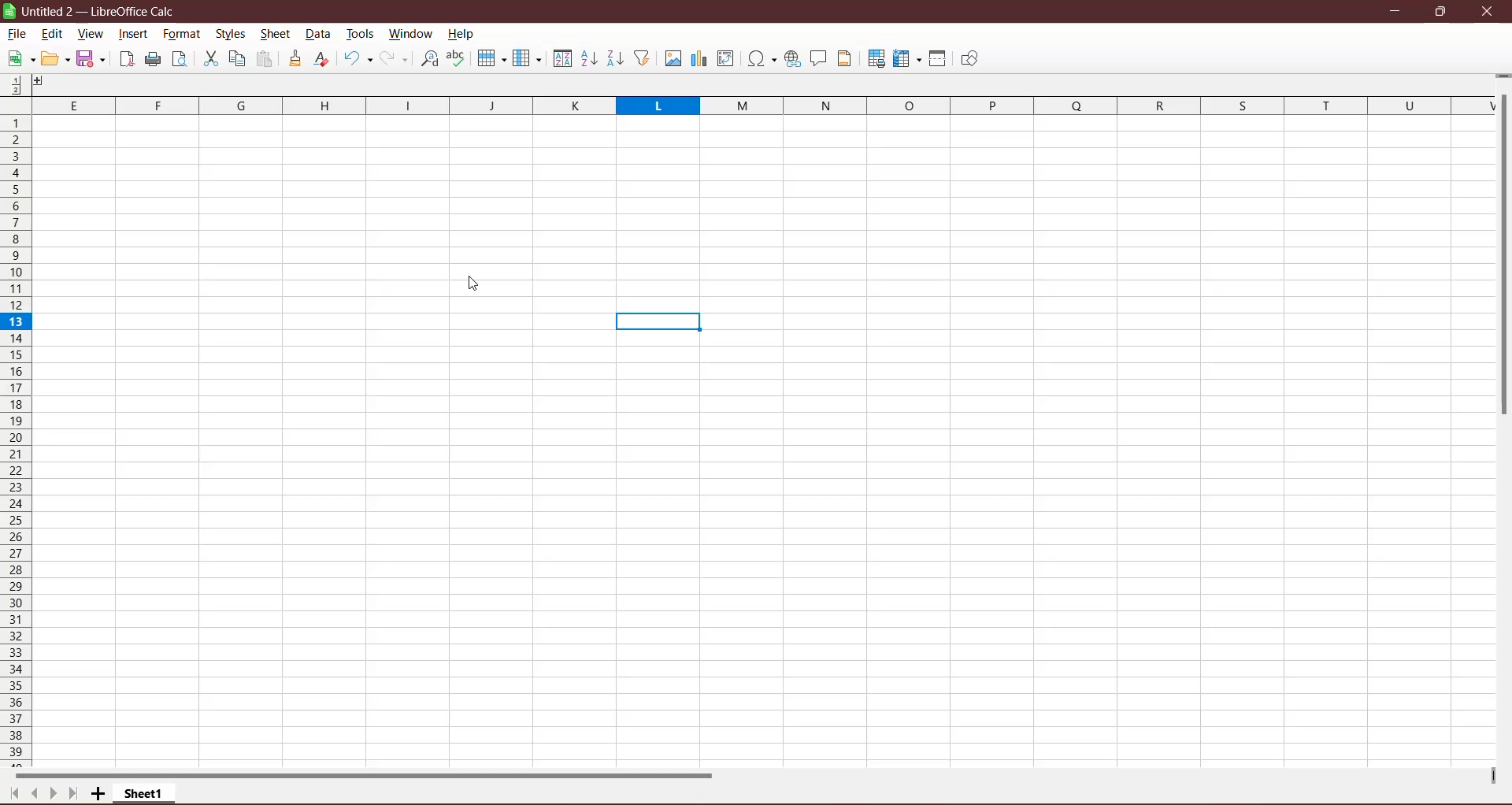 The image size is (1512, 805). What do you see at coordinates (561, 58) in the screenshot?
I see `Sort` at bounding box center [561, 58].